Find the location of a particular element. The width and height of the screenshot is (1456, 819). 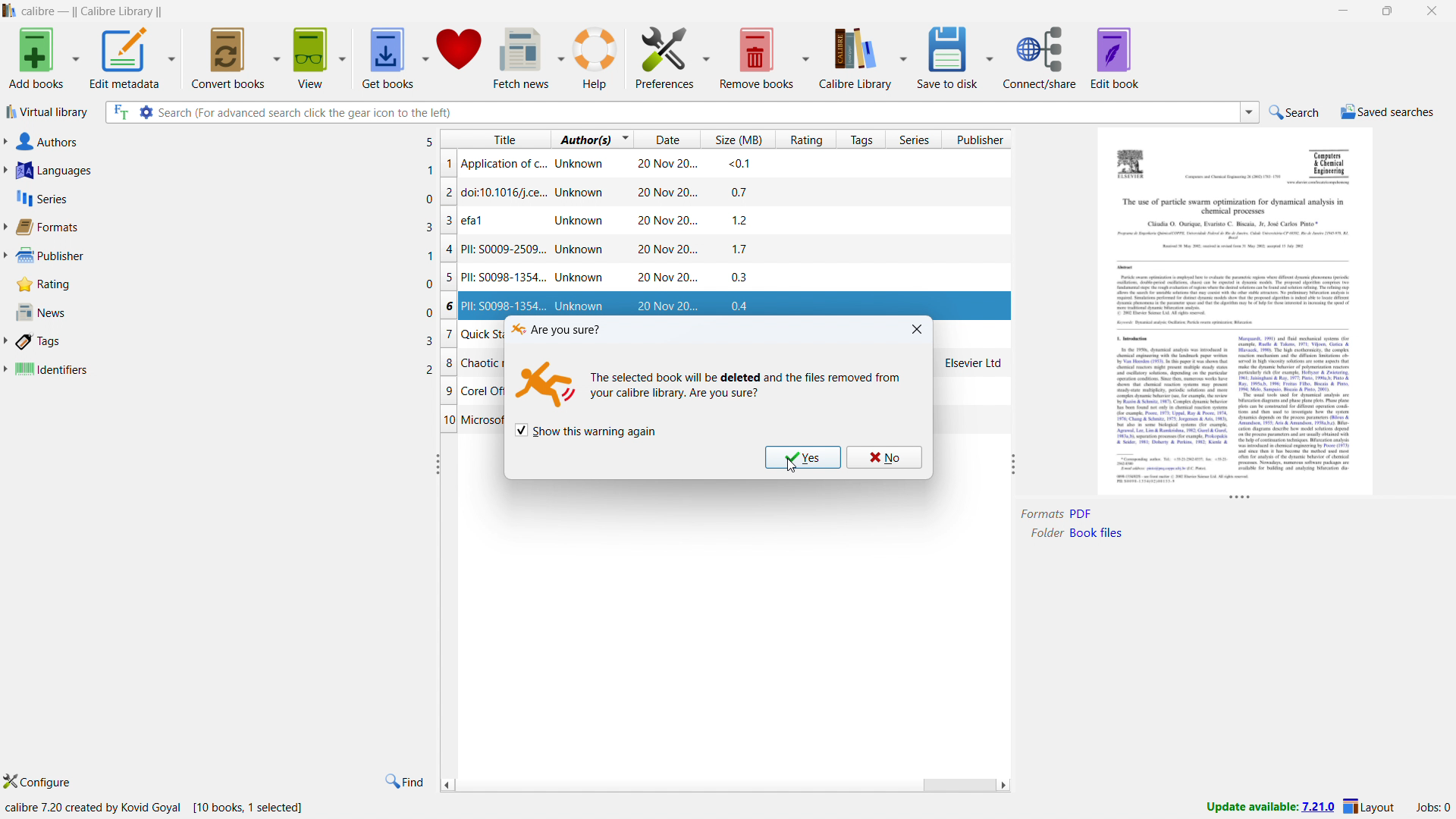

donate to clibre is located at coordinates (460, 56).